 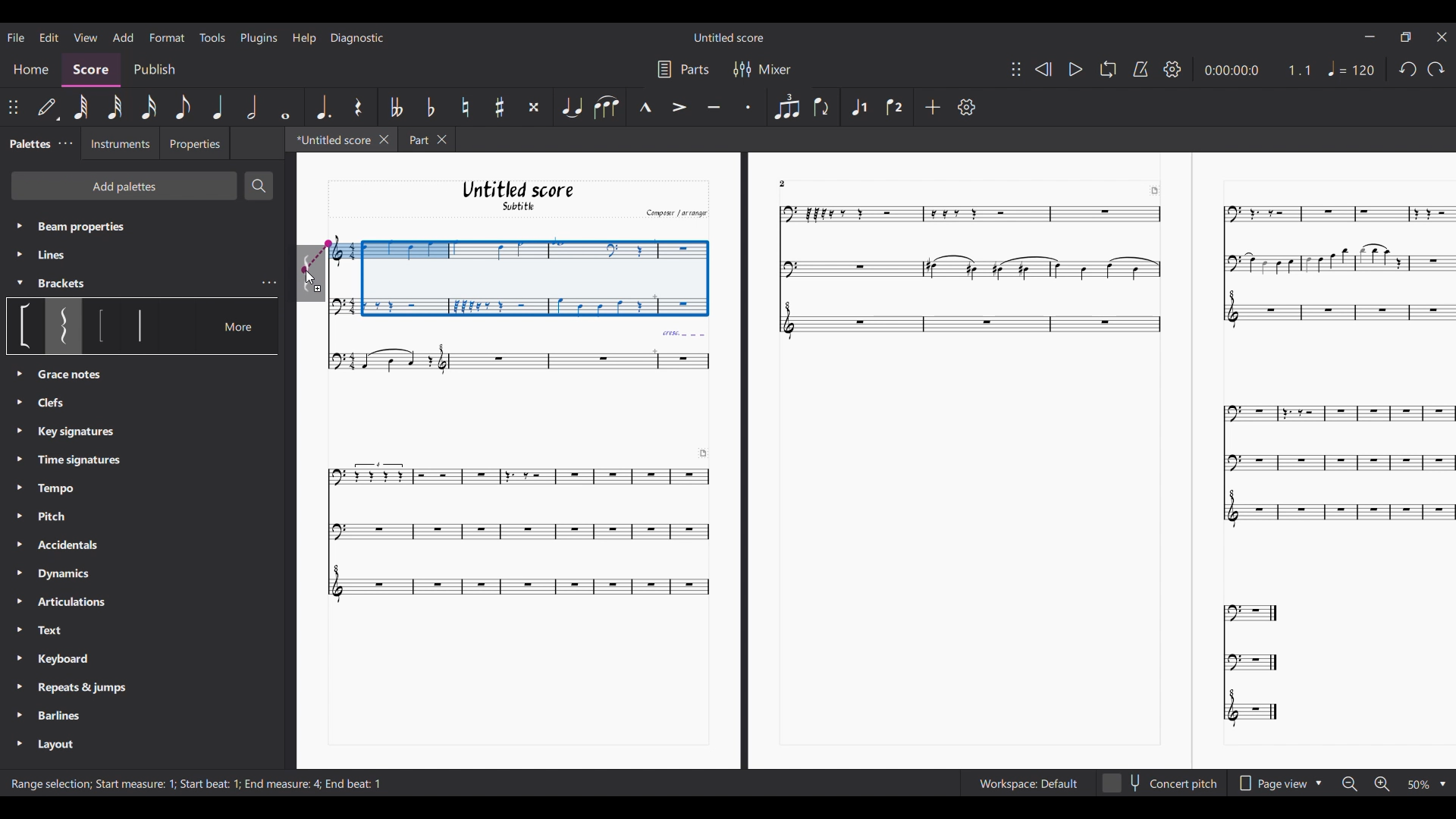 I want to click on , so click(x=14, y=252).